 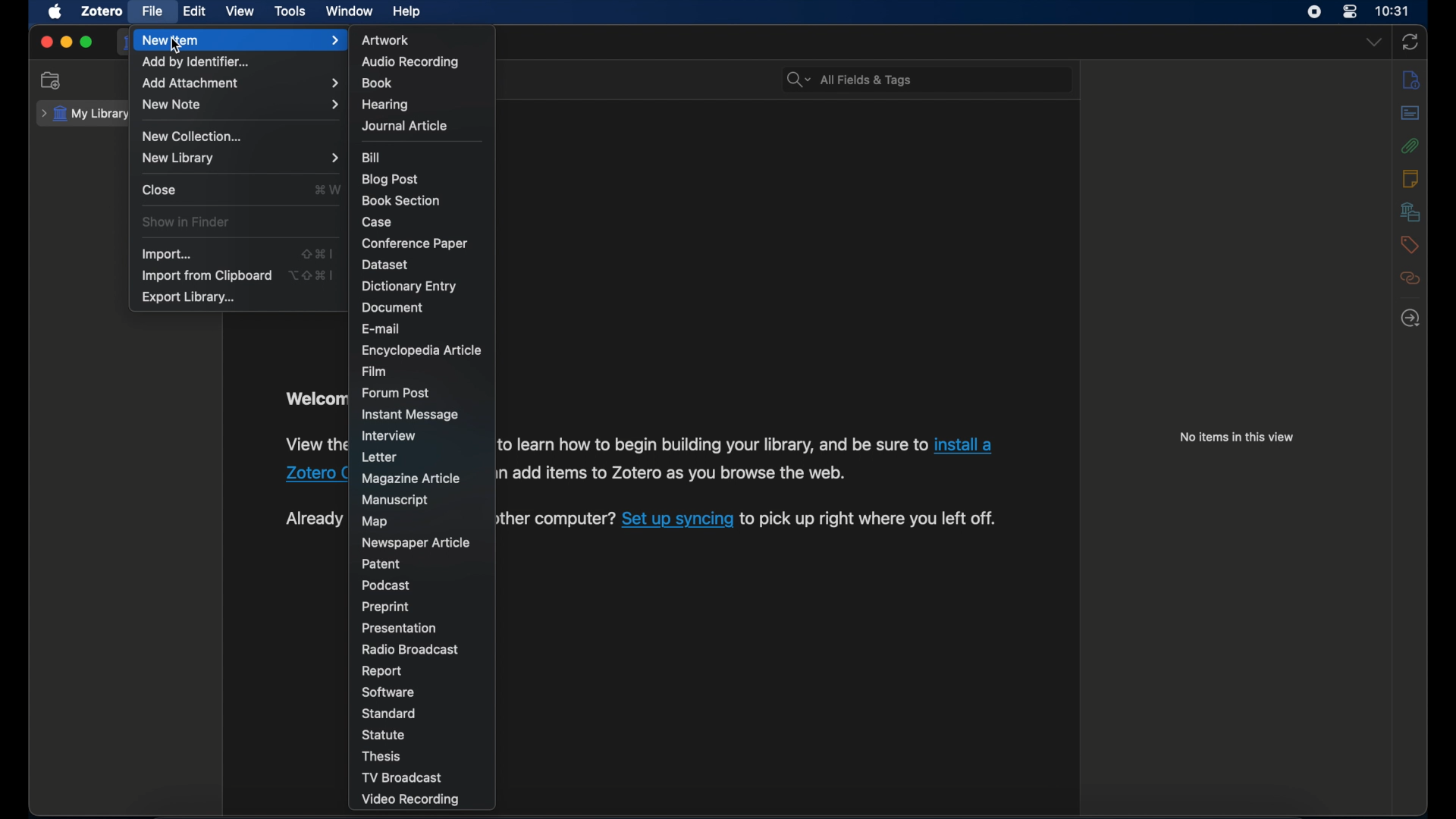 What do you see at coordinates (868, 519) in the screenshot?
I see `` at bounding box center [868, 519].